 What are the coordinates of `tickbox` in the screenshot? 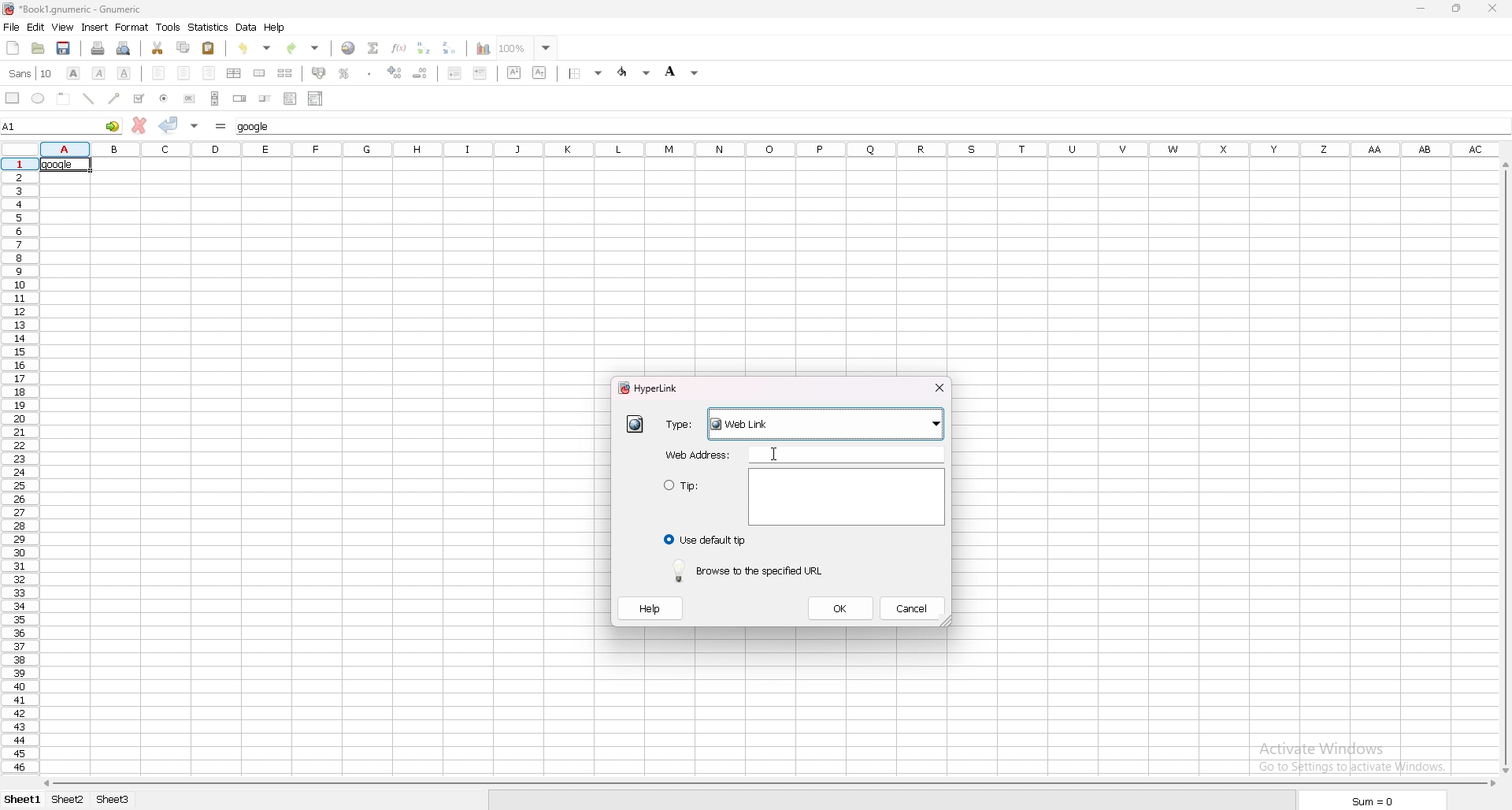 It's located at (139, 98).